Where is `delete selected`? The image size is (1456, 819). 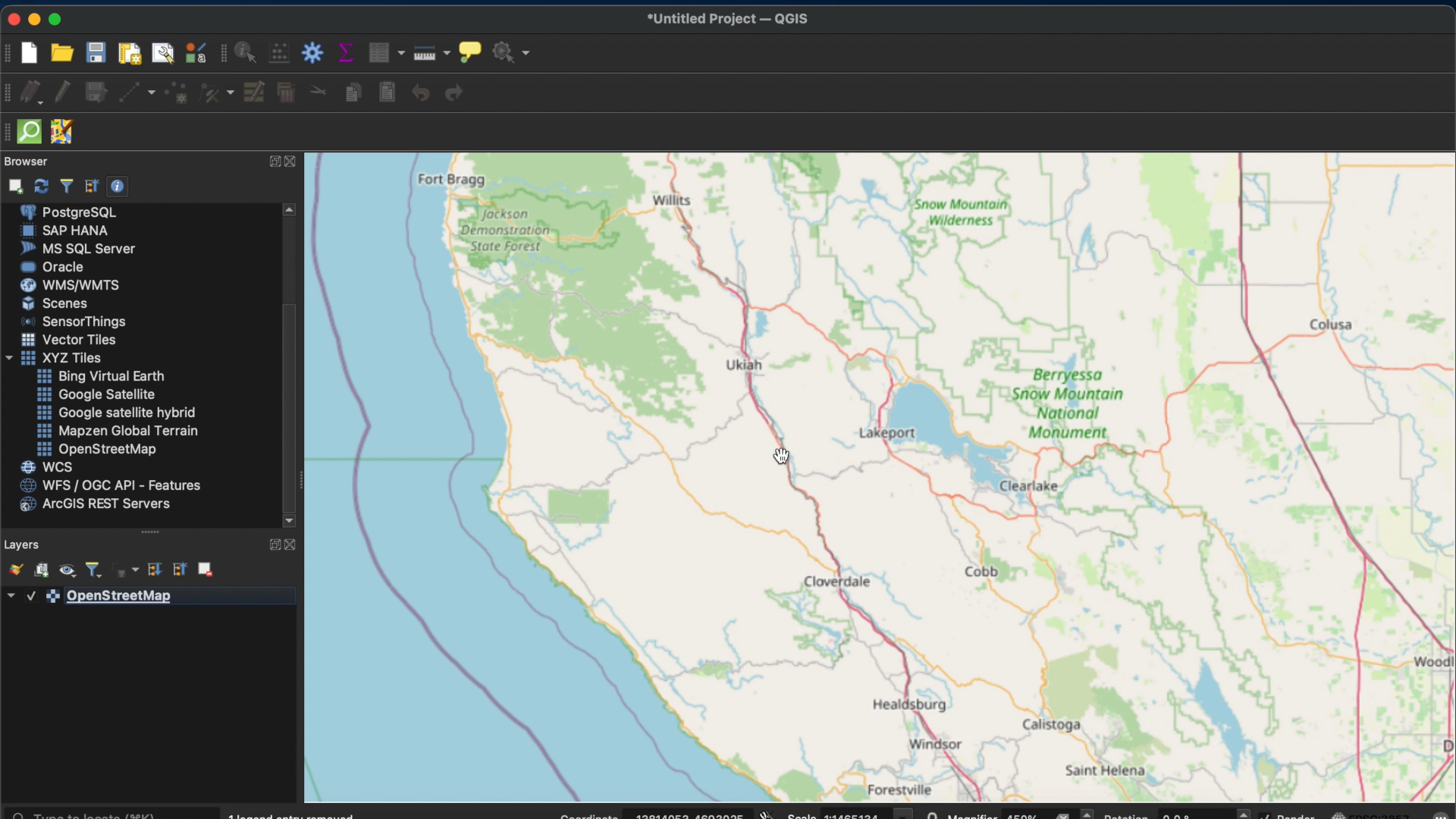 delete selected is located at coordinates (287, 93).